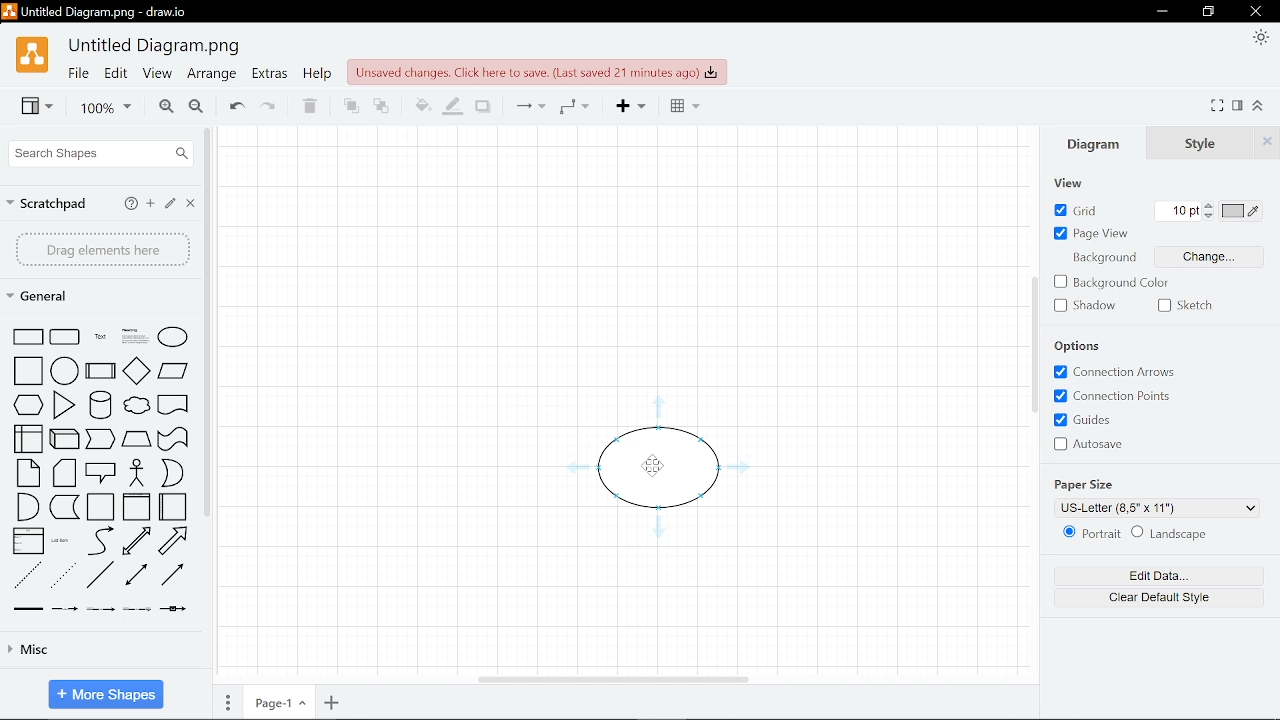 The image size is (1280, 720). Describe the element at coordinates (1211, 11) in the screenshot. I see `Restore down` at that location.